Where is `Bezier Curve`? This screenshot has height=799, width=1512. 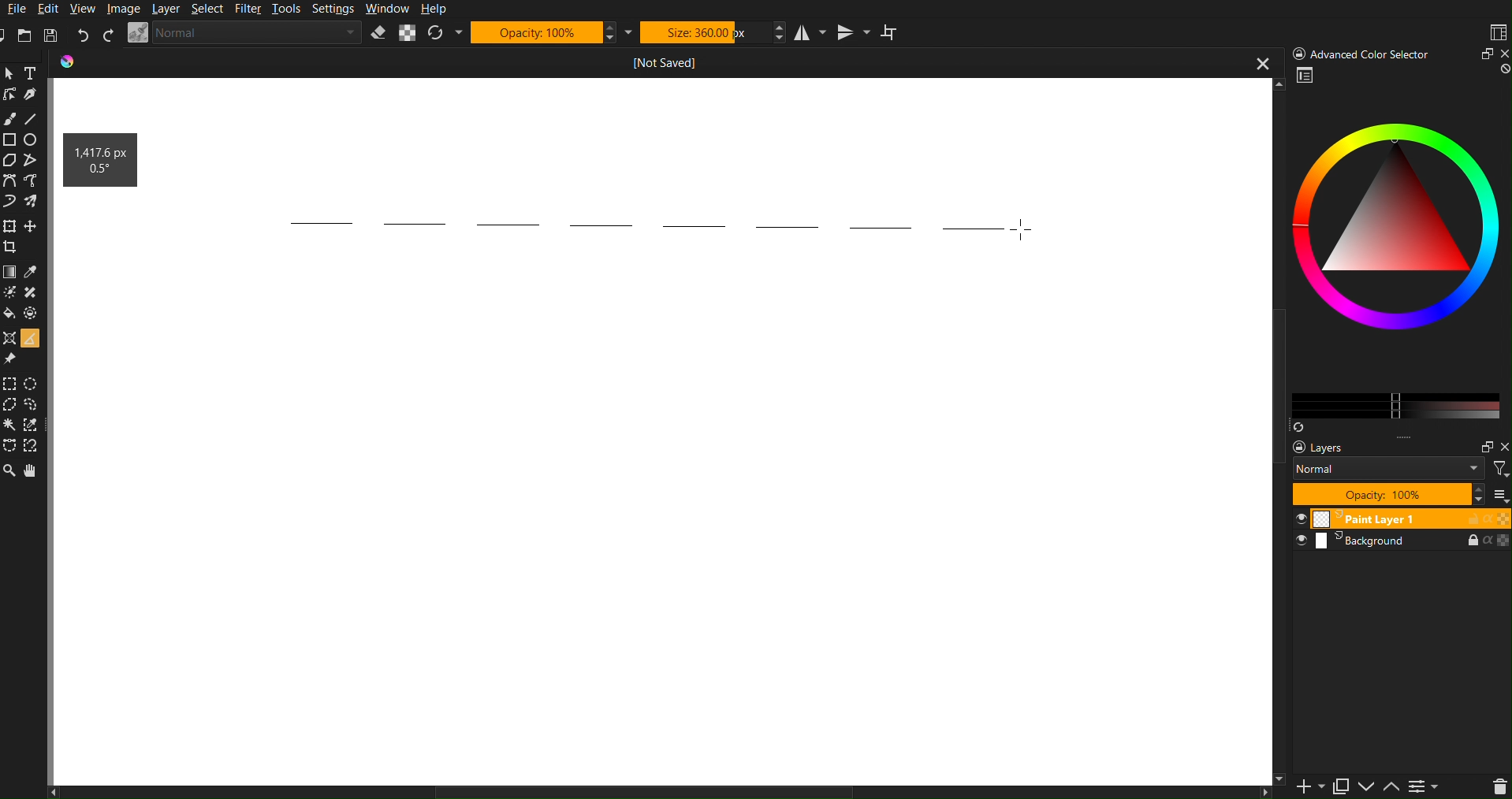
Bezier Curve is located at coordinates (35, 180).